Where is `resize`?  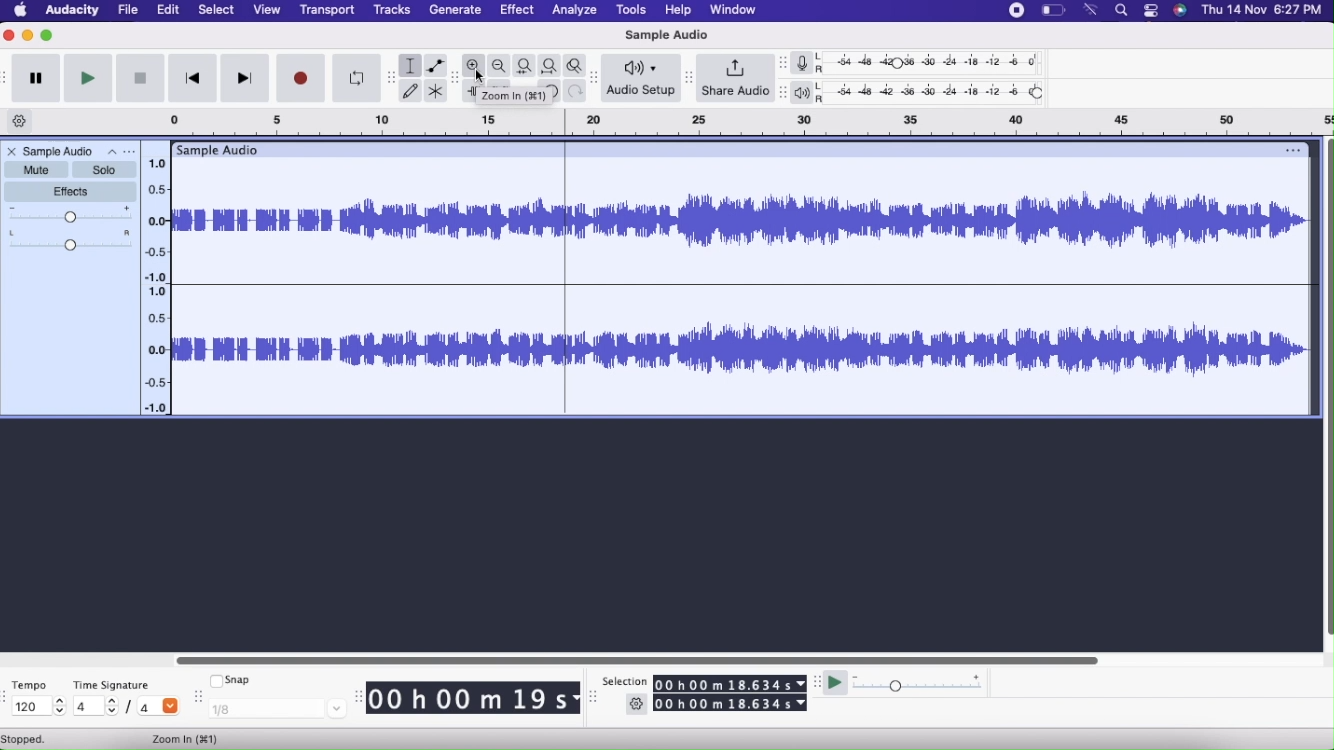 resize is located at coordinates (359, 696).